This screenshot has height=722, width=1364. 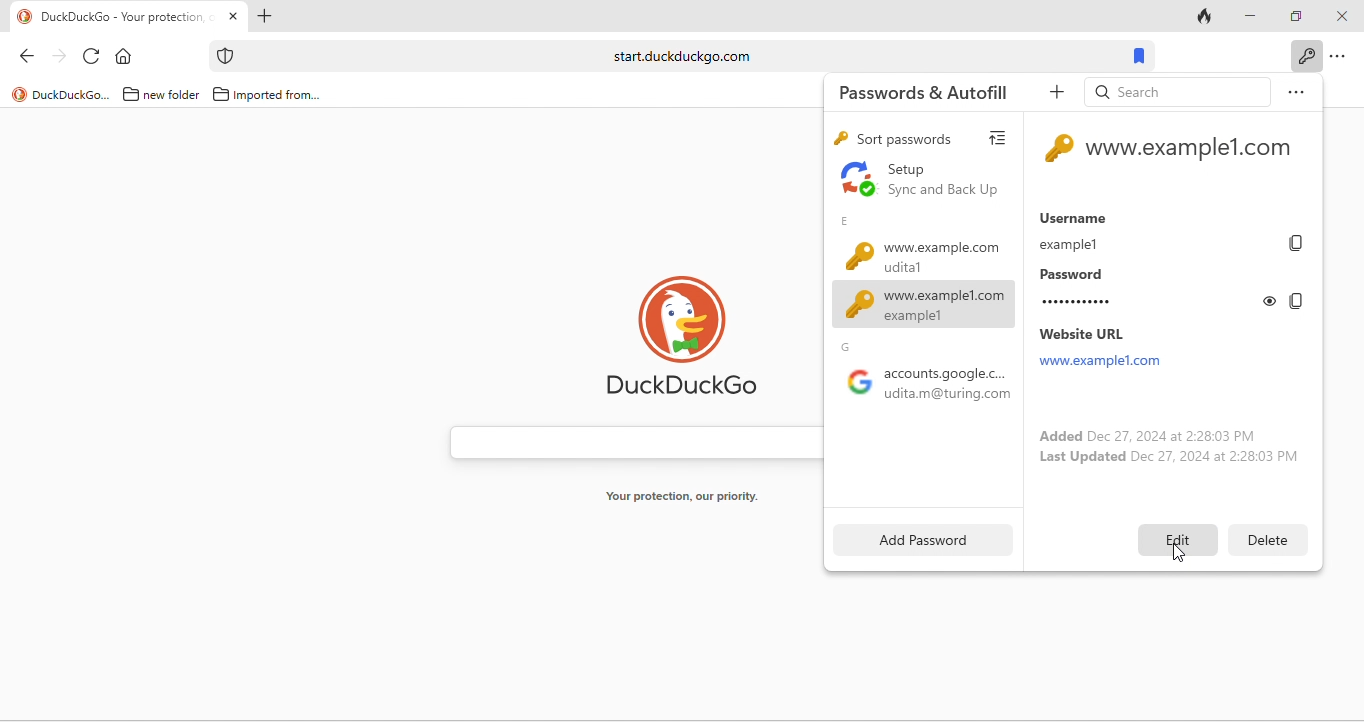 What do you see at coordinates (683, 333) in the screenshot?
I see `duck duck go logo` at bounding box center [683, 333].